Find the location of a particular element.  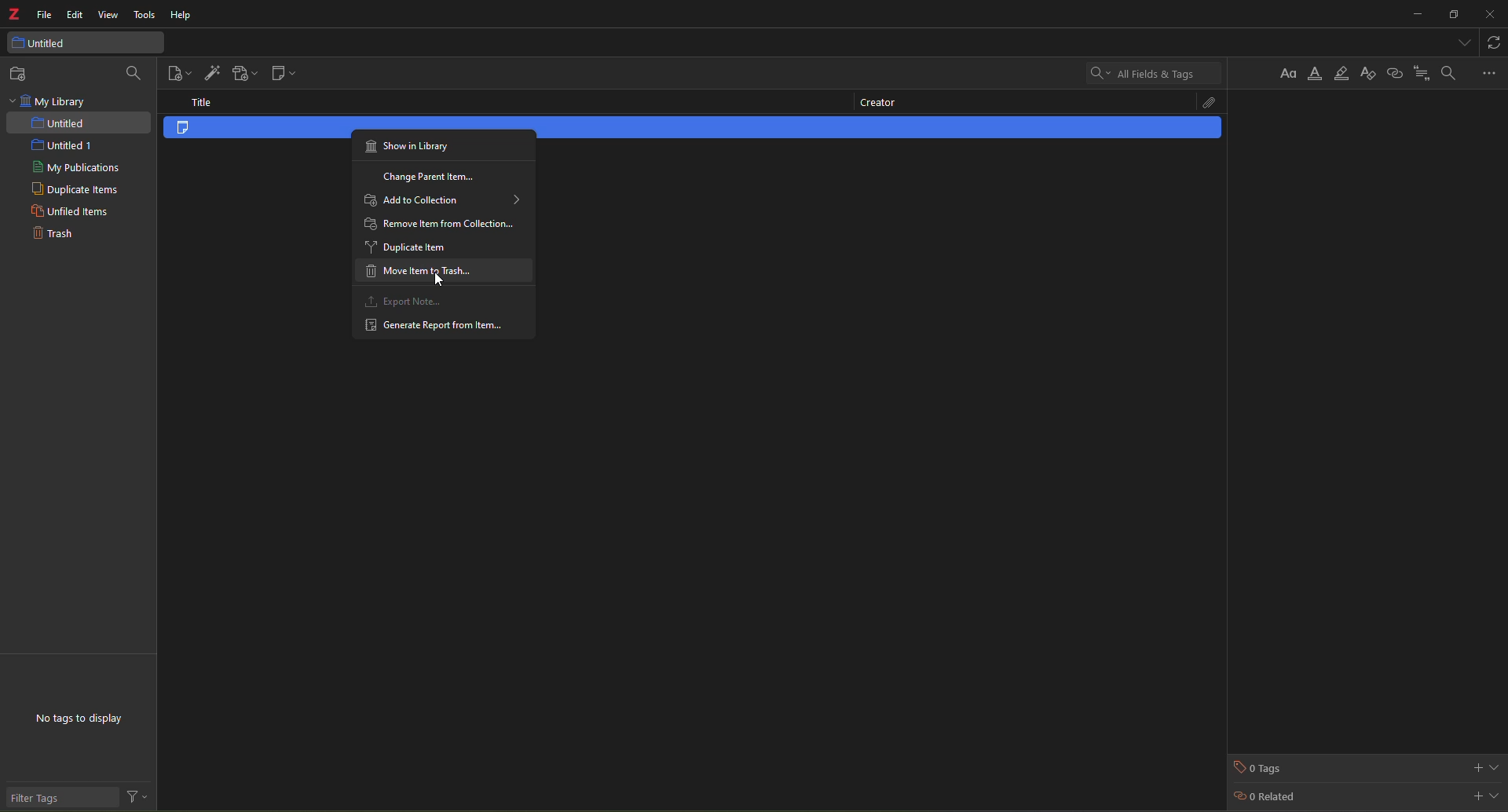

trash is located at coordinates (52, 236).